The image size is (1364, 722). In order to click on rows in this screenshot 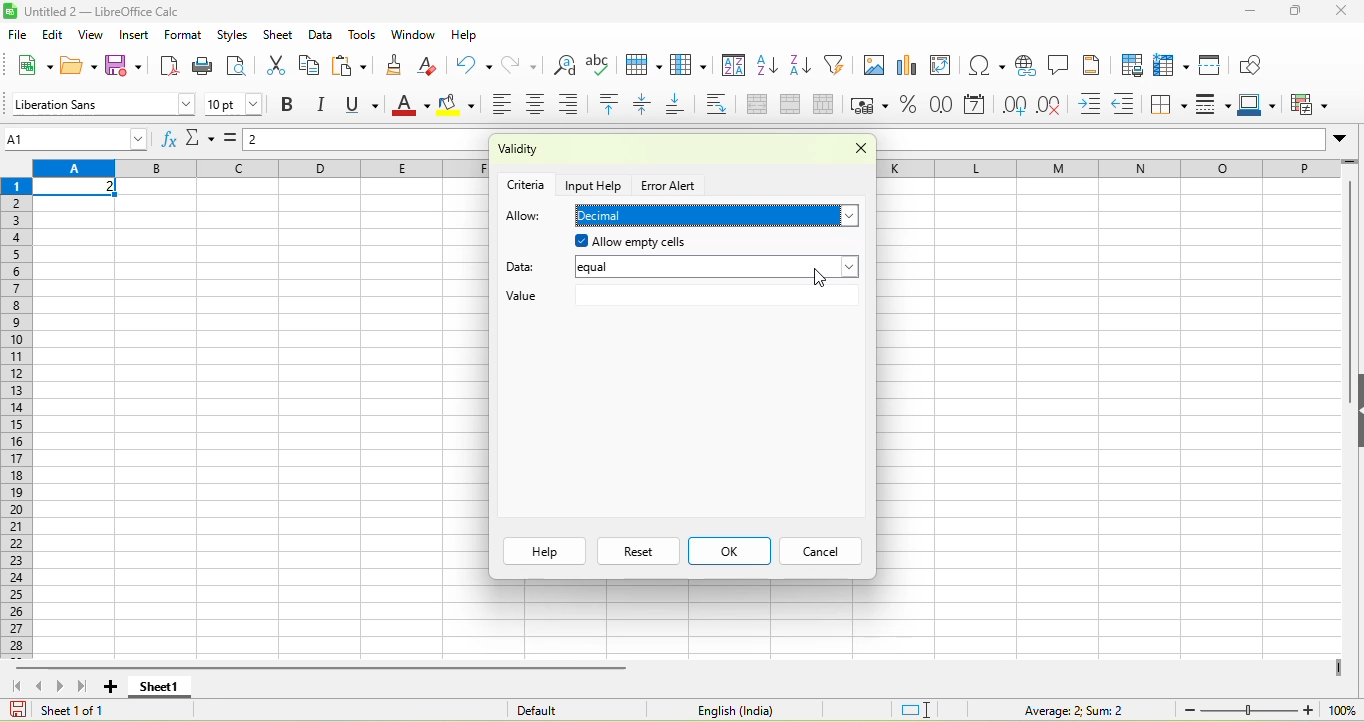, I will do `click(19, 417)`.